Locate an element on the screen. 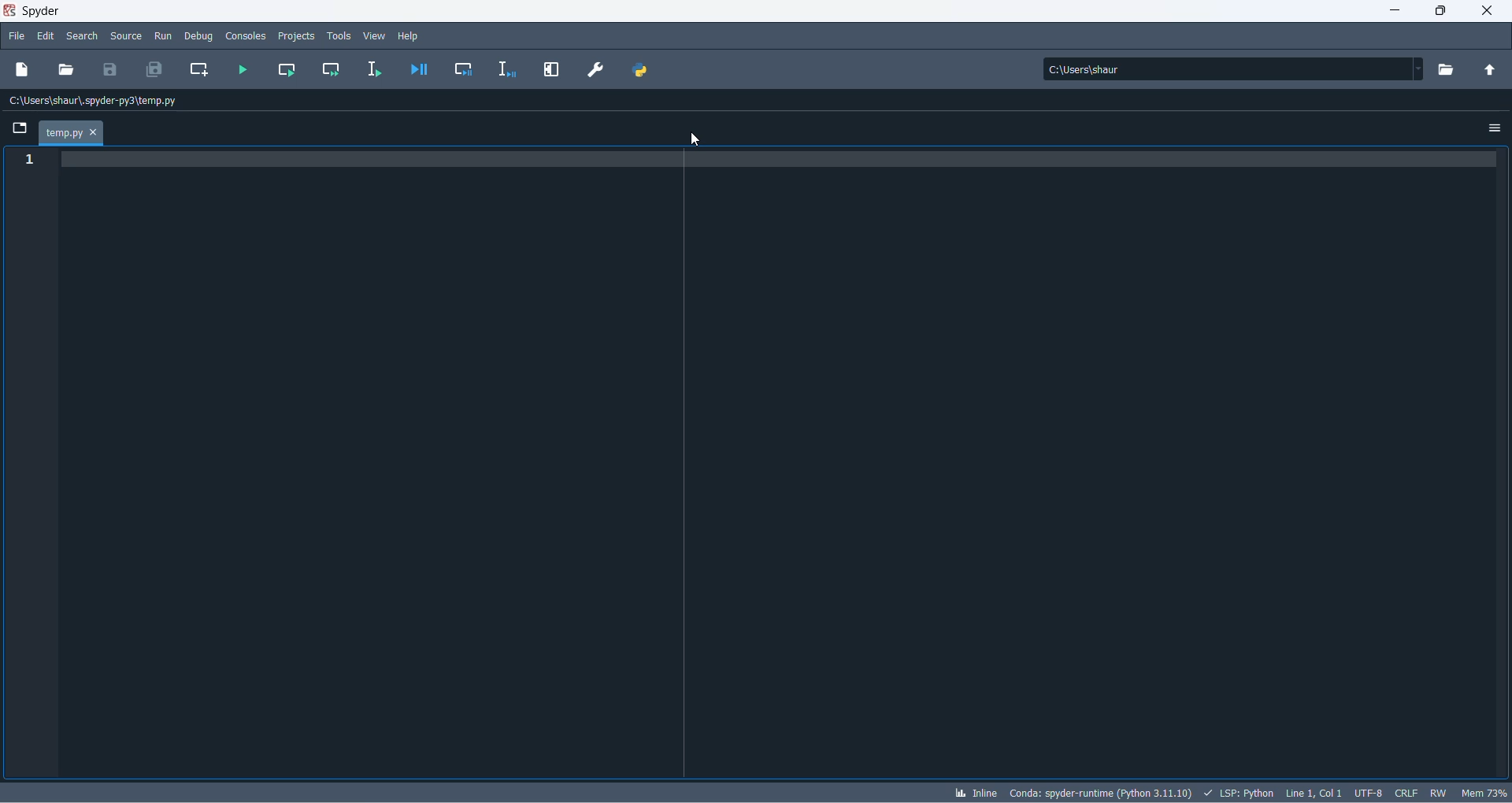 This screenshot has height=803, width=1512. run selection is located at coordinates (372, 68).